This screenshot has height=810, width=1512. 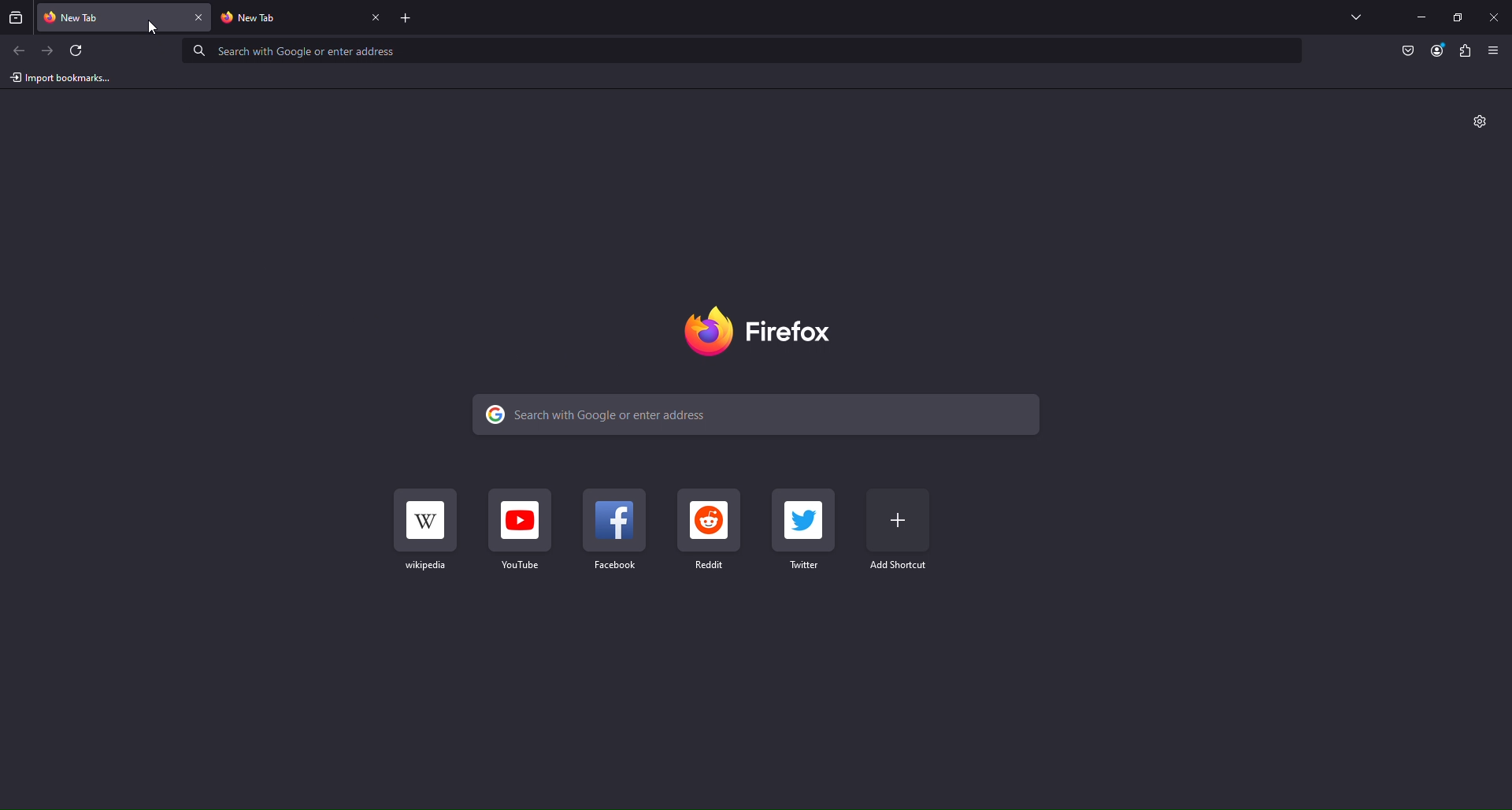 What do you see at coordinates (1493, 18) in the screenshot?
I see `Close` at bounding box center [1493, 18].